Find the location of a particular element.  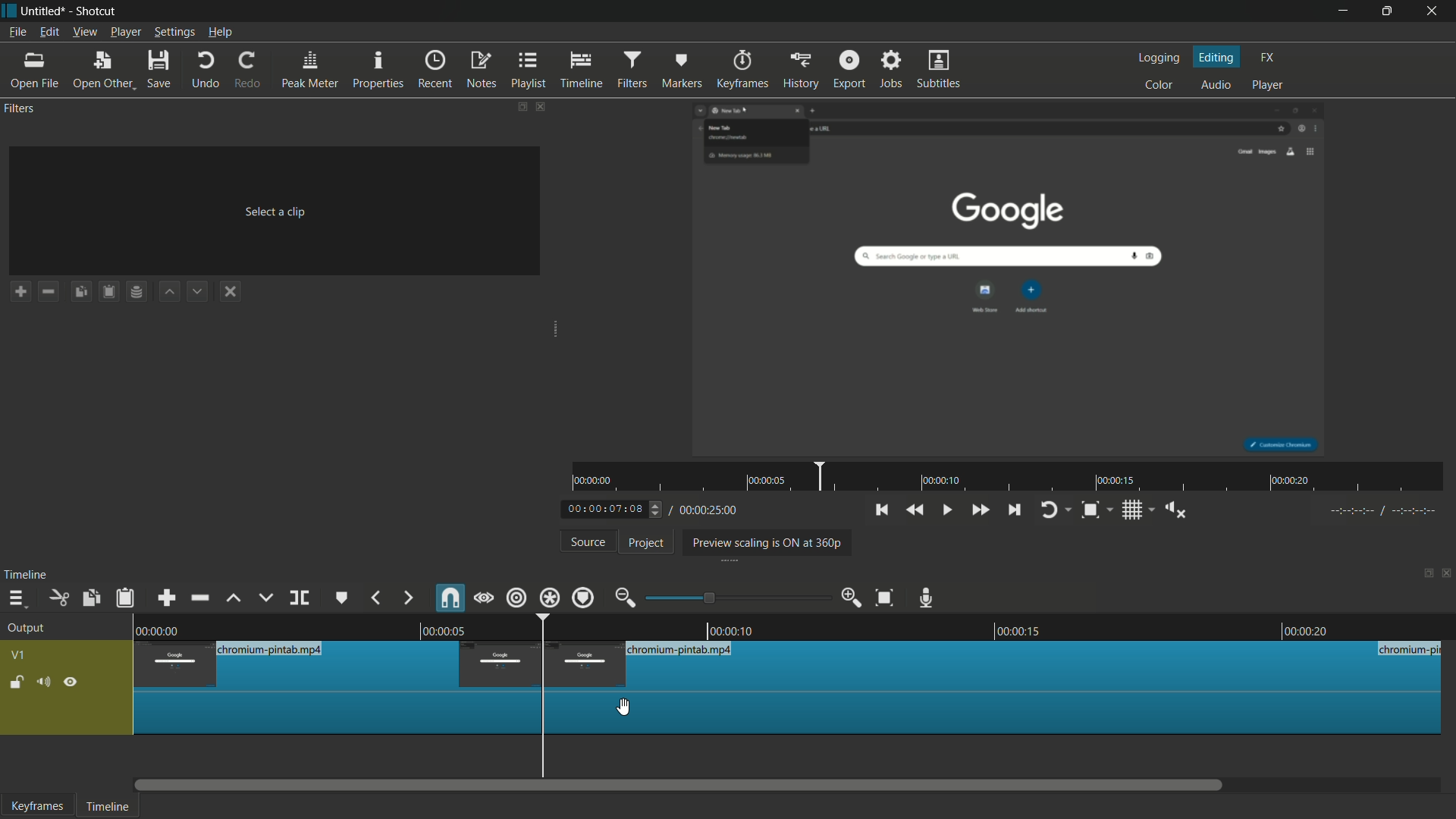

keyframes is located at coordinates (745, 69).